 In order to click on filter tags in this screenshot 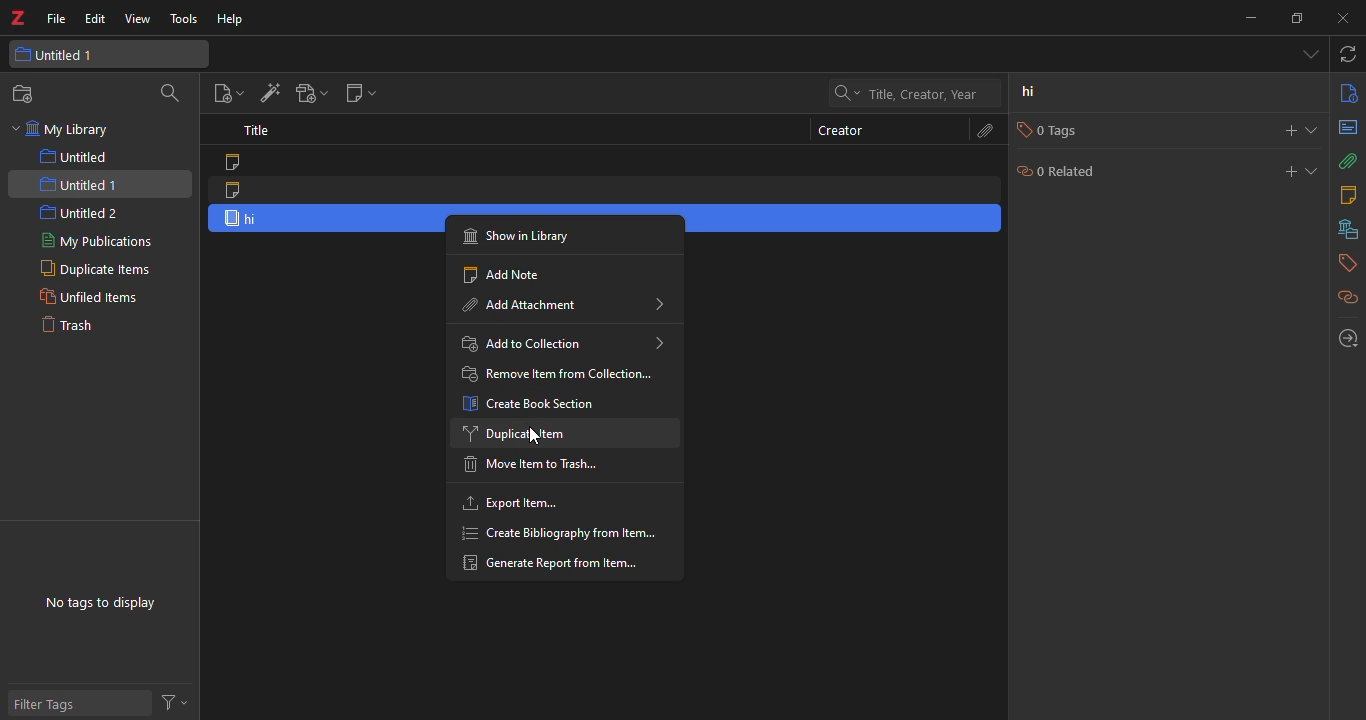, I will do `click(45, 705)`.